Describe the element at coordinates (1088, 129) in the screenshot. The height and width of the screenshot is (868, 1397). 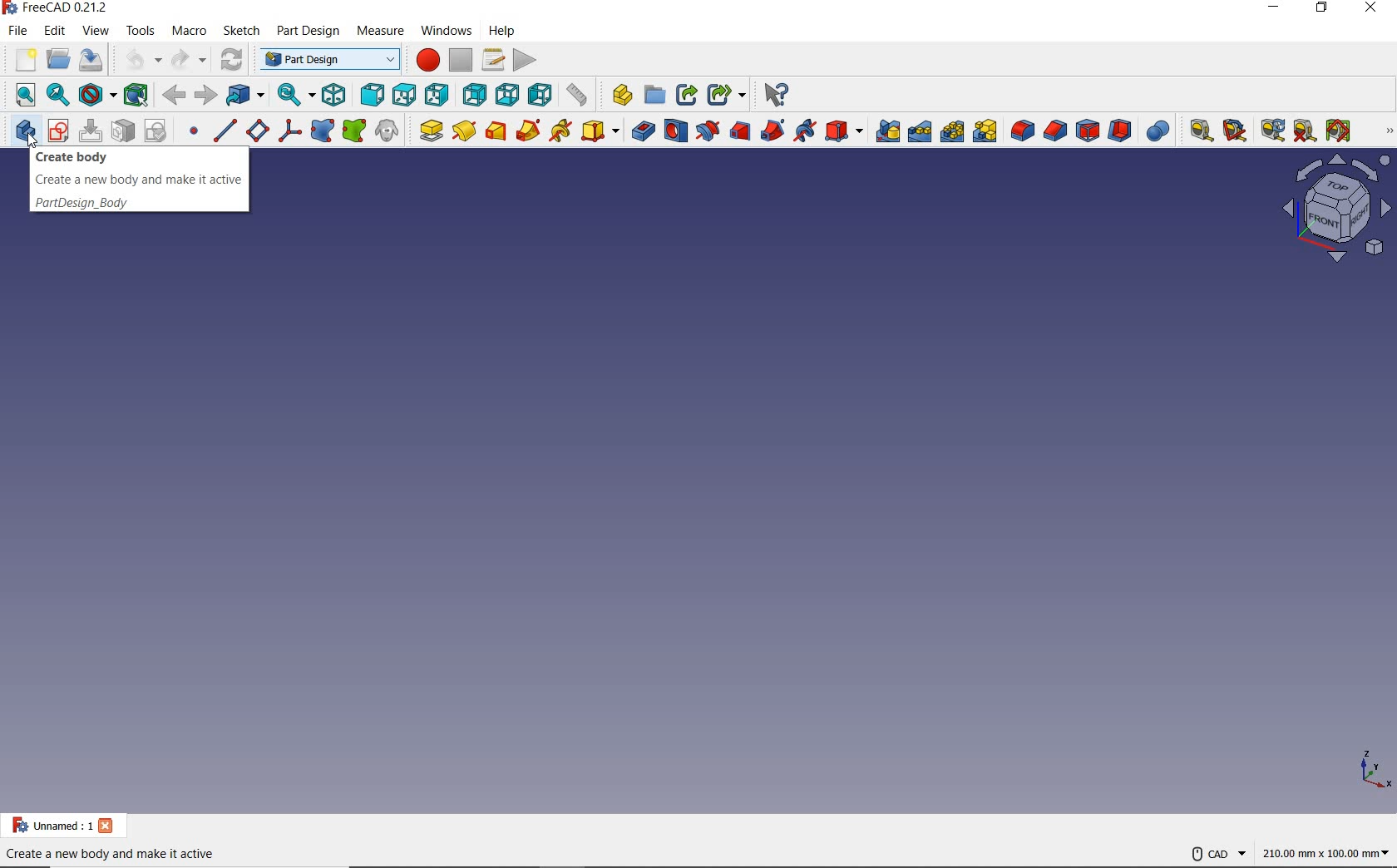
I see `DRAFT` at that location.